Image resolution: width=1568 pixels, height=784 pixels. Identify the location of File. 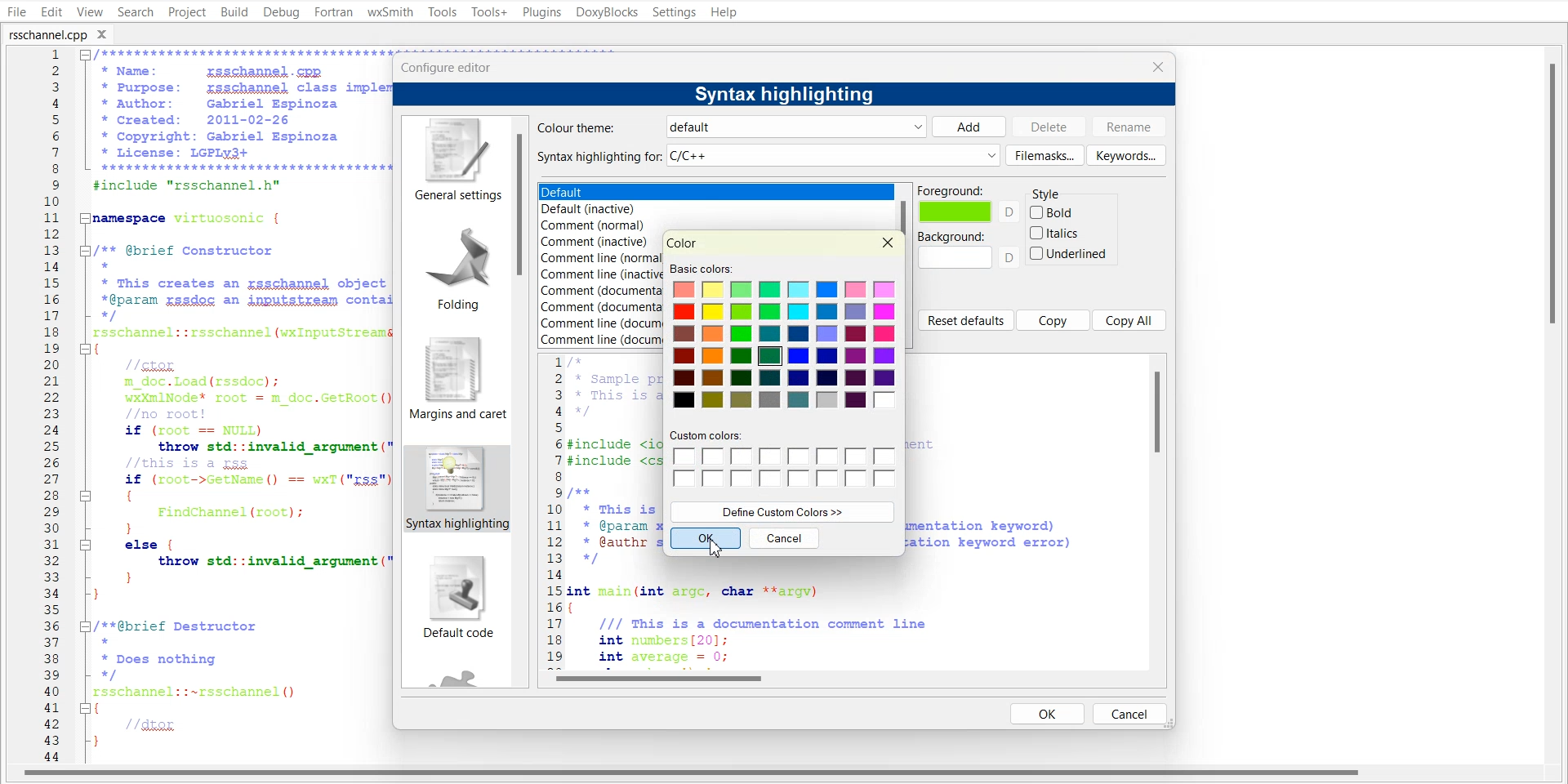
(15, 11).